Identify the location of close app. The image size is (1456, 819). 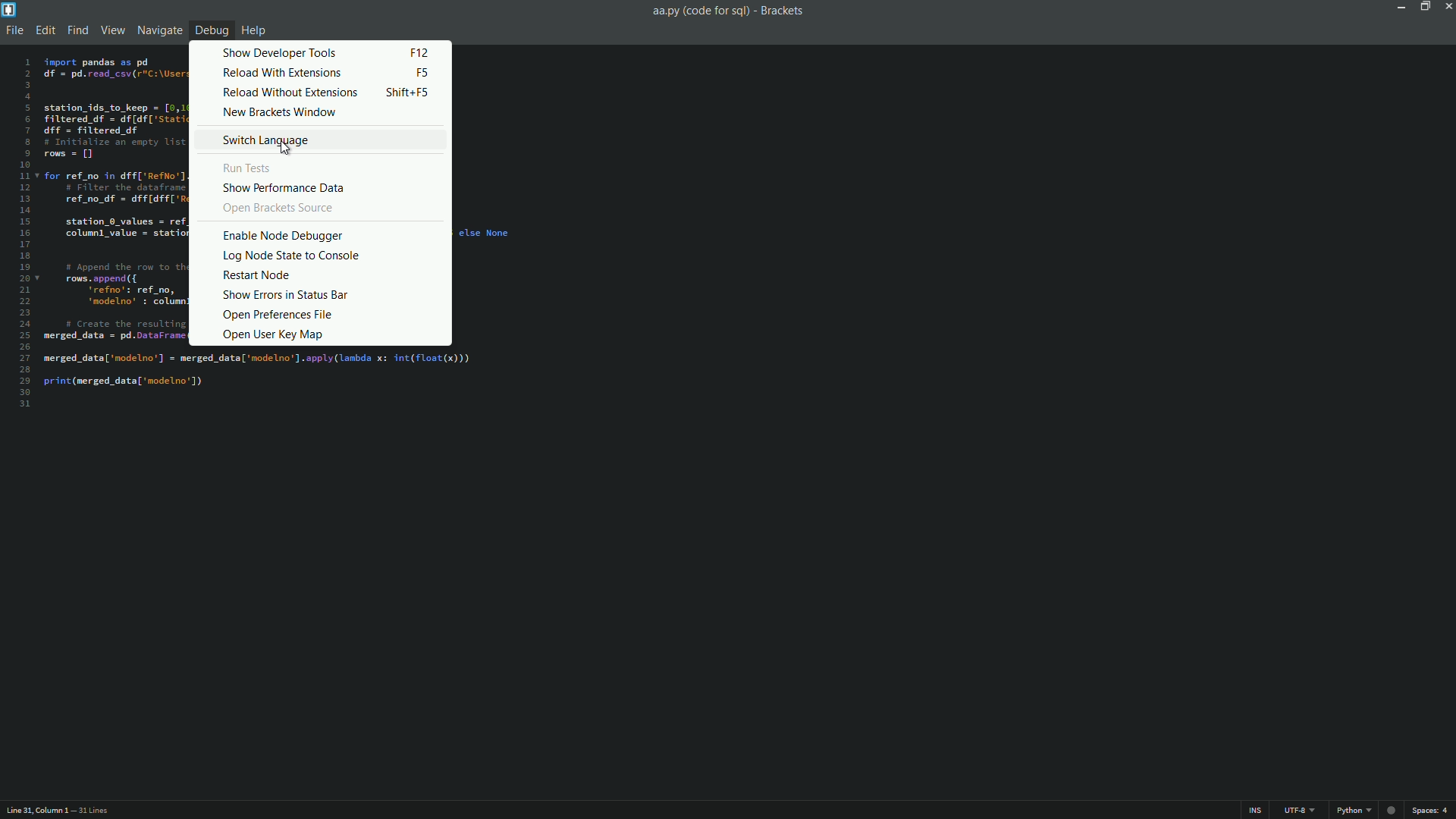
(1447, 6).